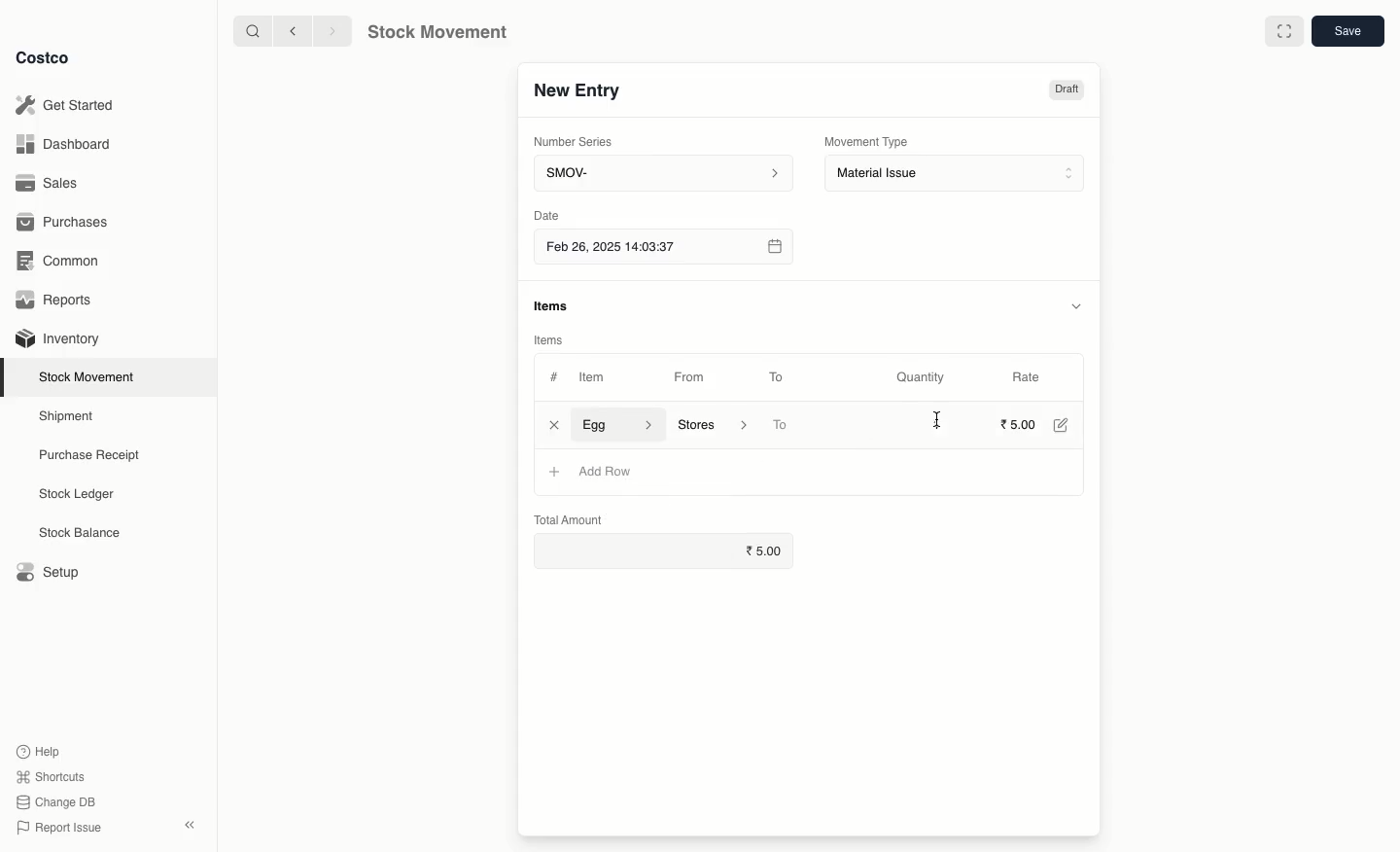 Image resolution: width=1400 pixels, height=852 pixels. I want to click on Purchase Receipt, so click(94, 454).